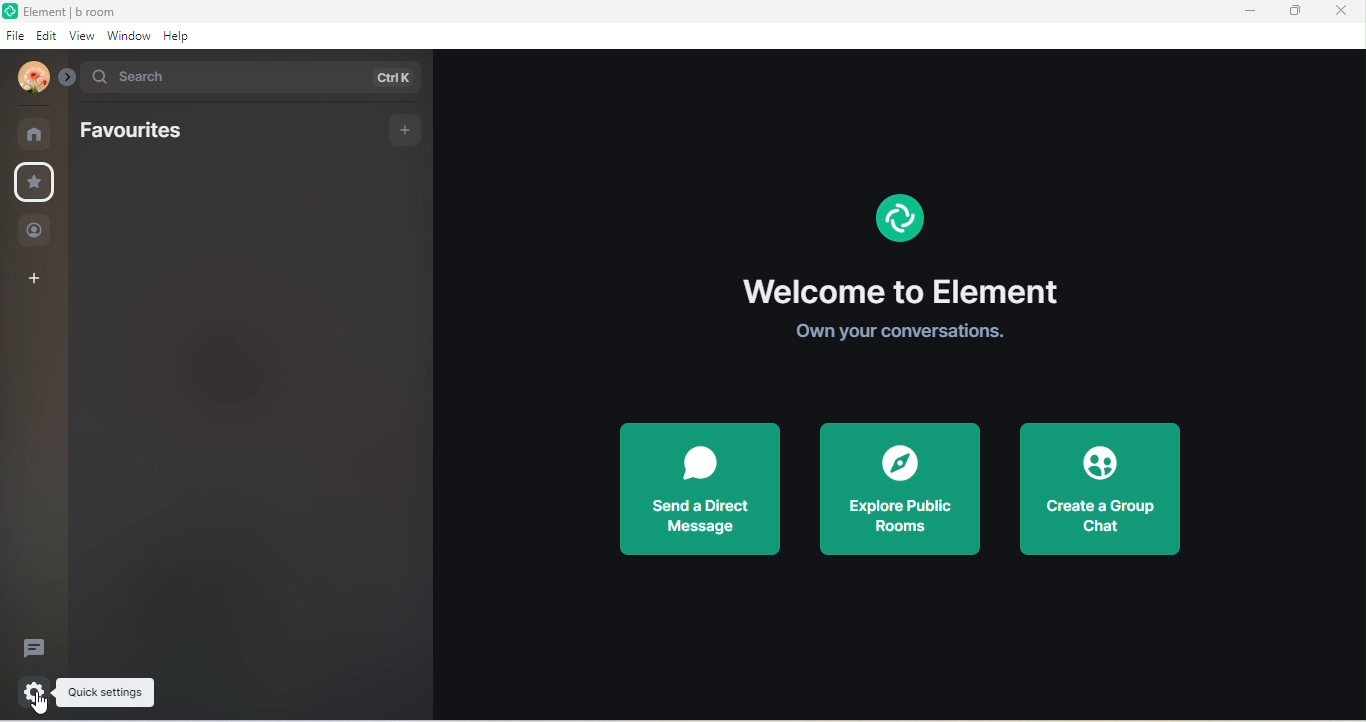  Describe the element at coordinates (33, 77) in the screenshot. I see `account` at that location.